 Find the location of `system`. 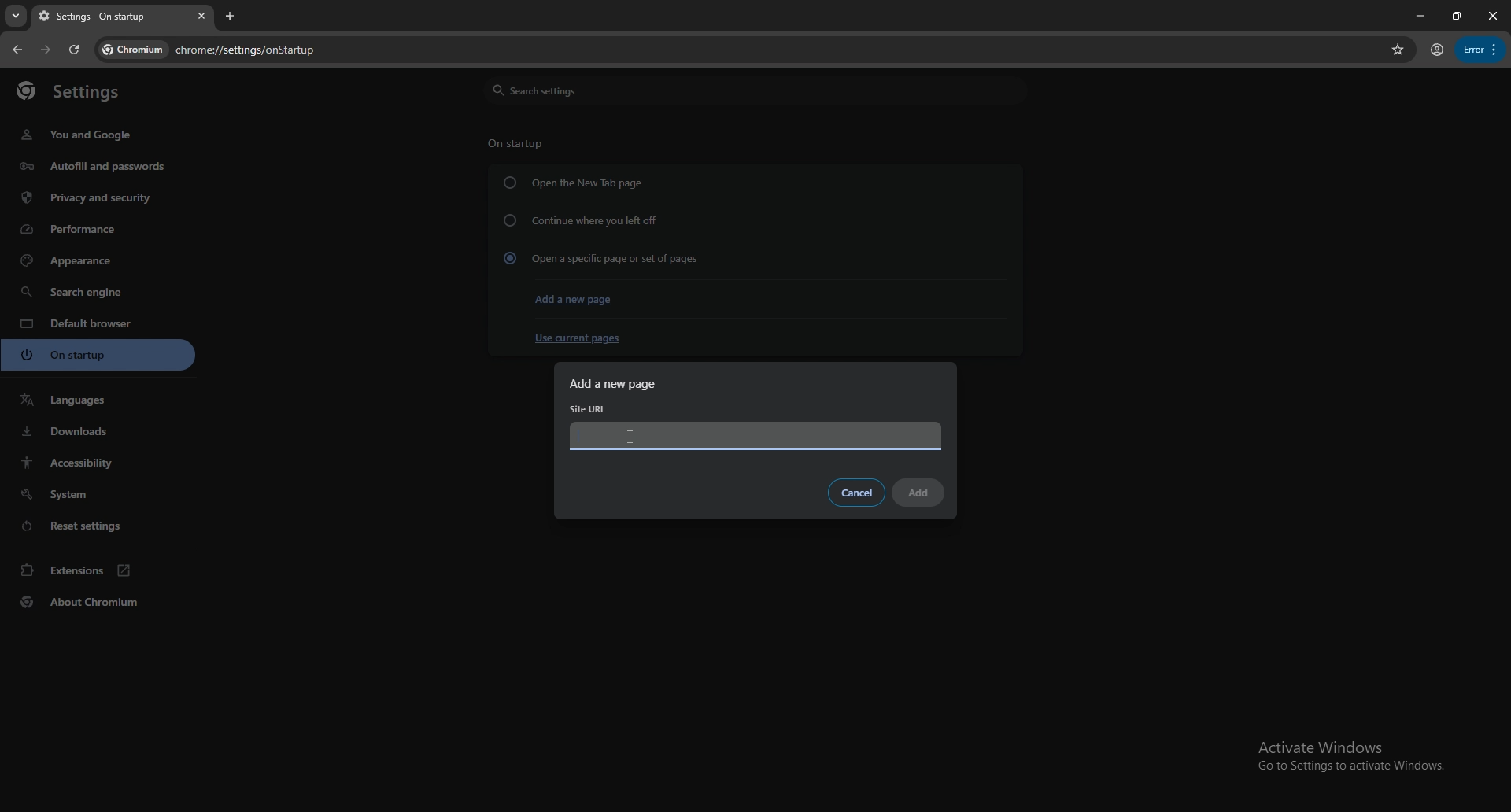

system is located at coordinates (98, 494).